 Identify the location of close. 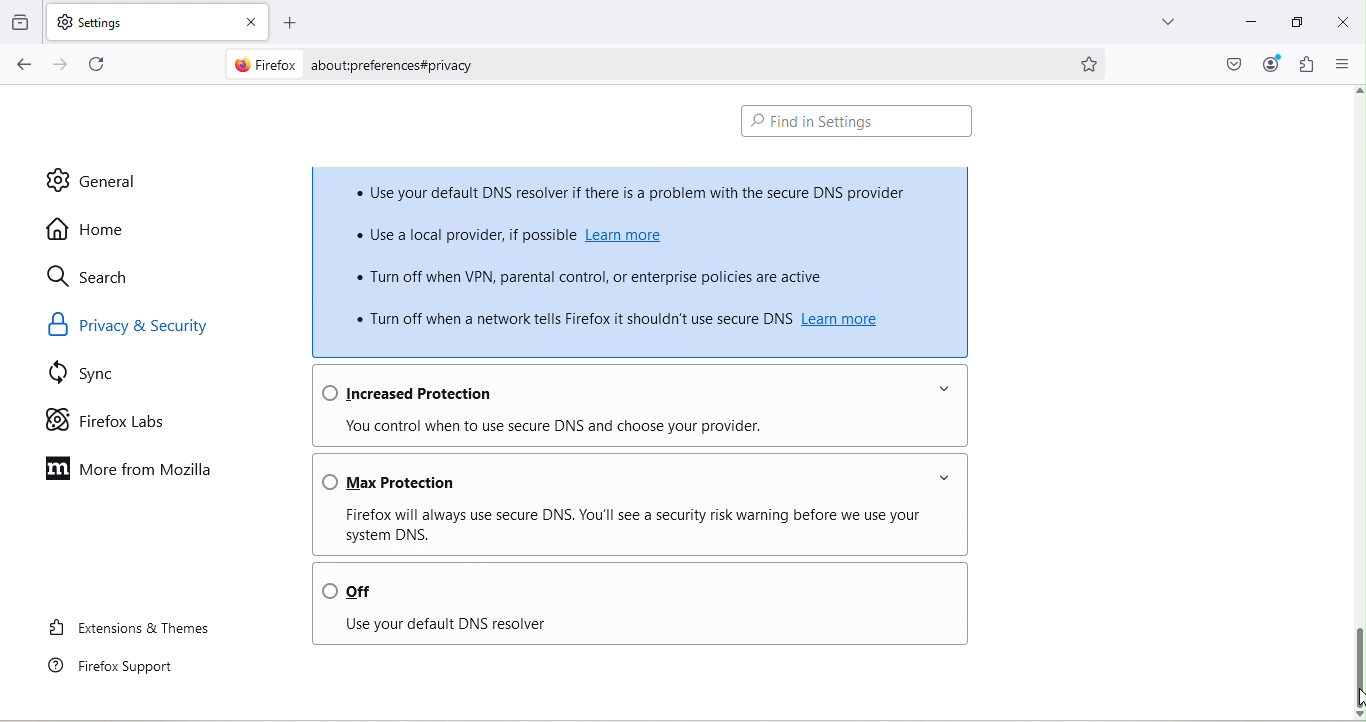
(1346, 26).